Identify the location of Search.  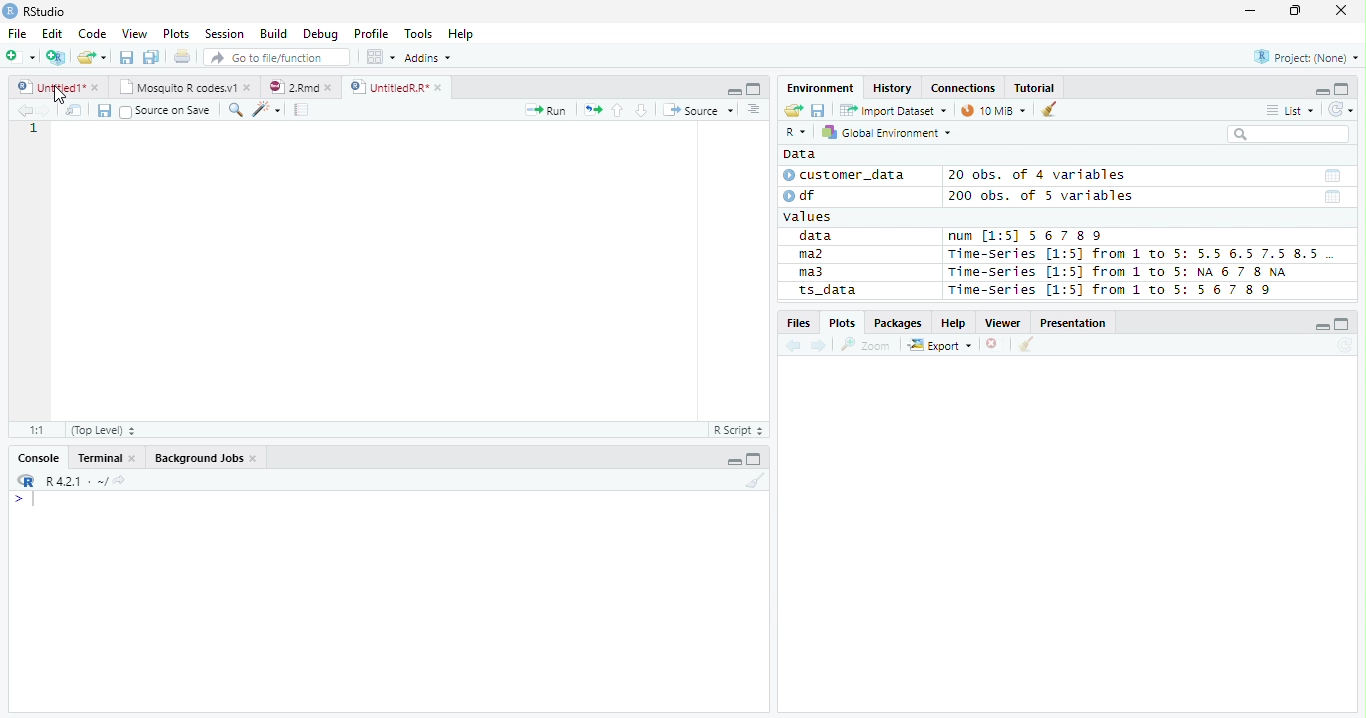
(1286, 134).